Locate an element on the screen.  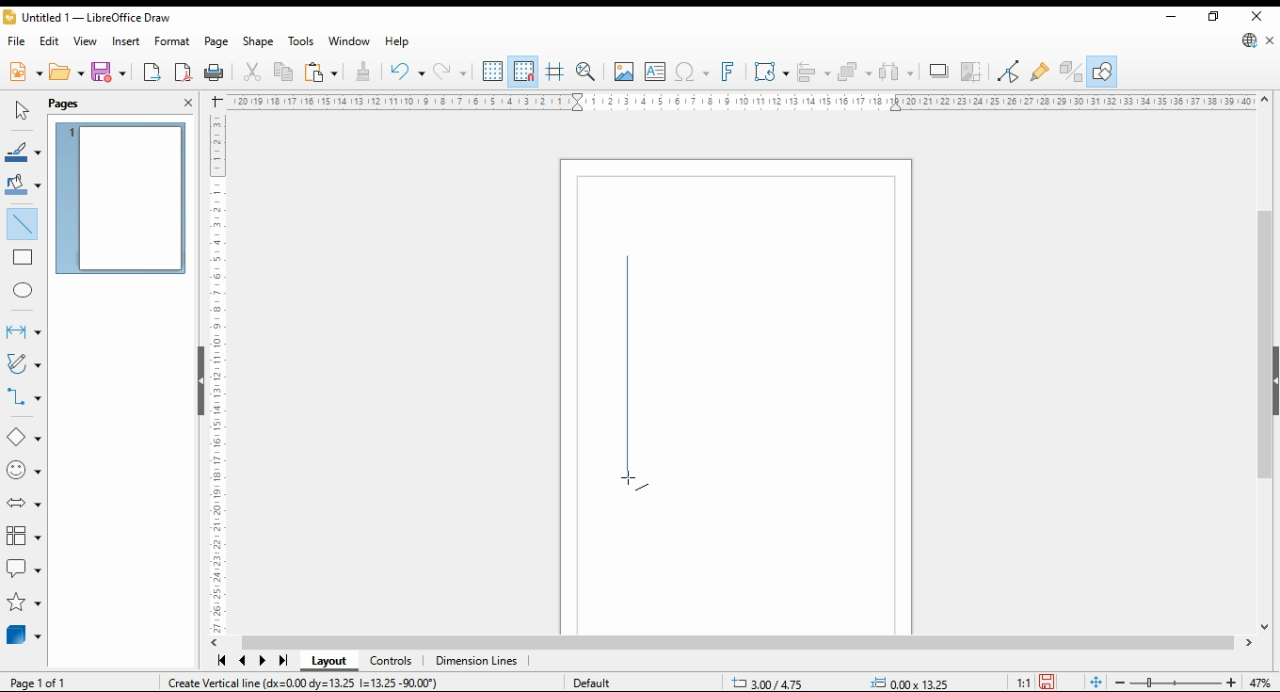
Untitled 1 - LibreOffice Draw is located at coordinates (86, 19).